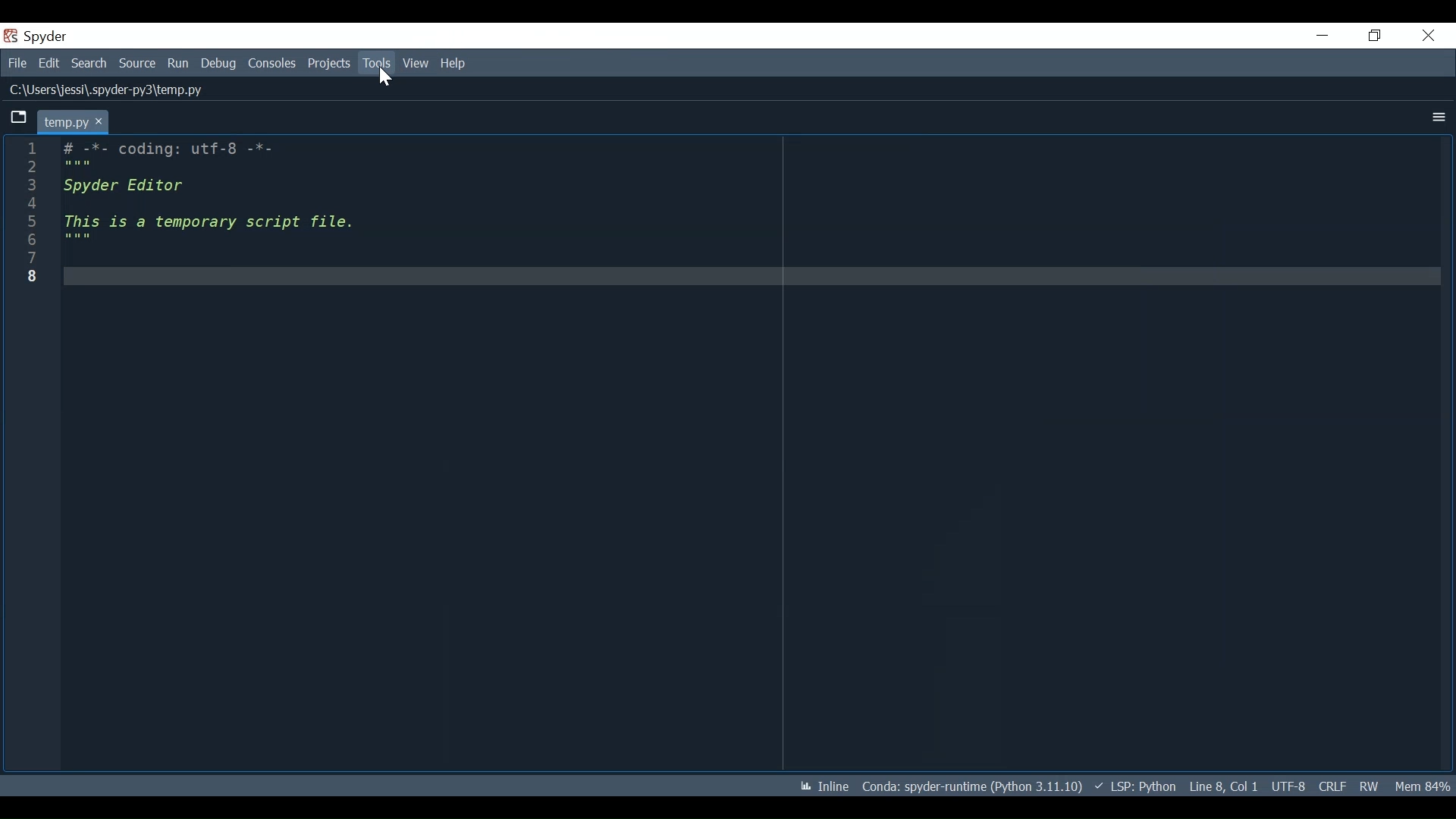 The height and width of the screenshot is (819, 1456). Describe the element at coordinates (72, 121) in the screenshot. I see `Current Tab` at that location.